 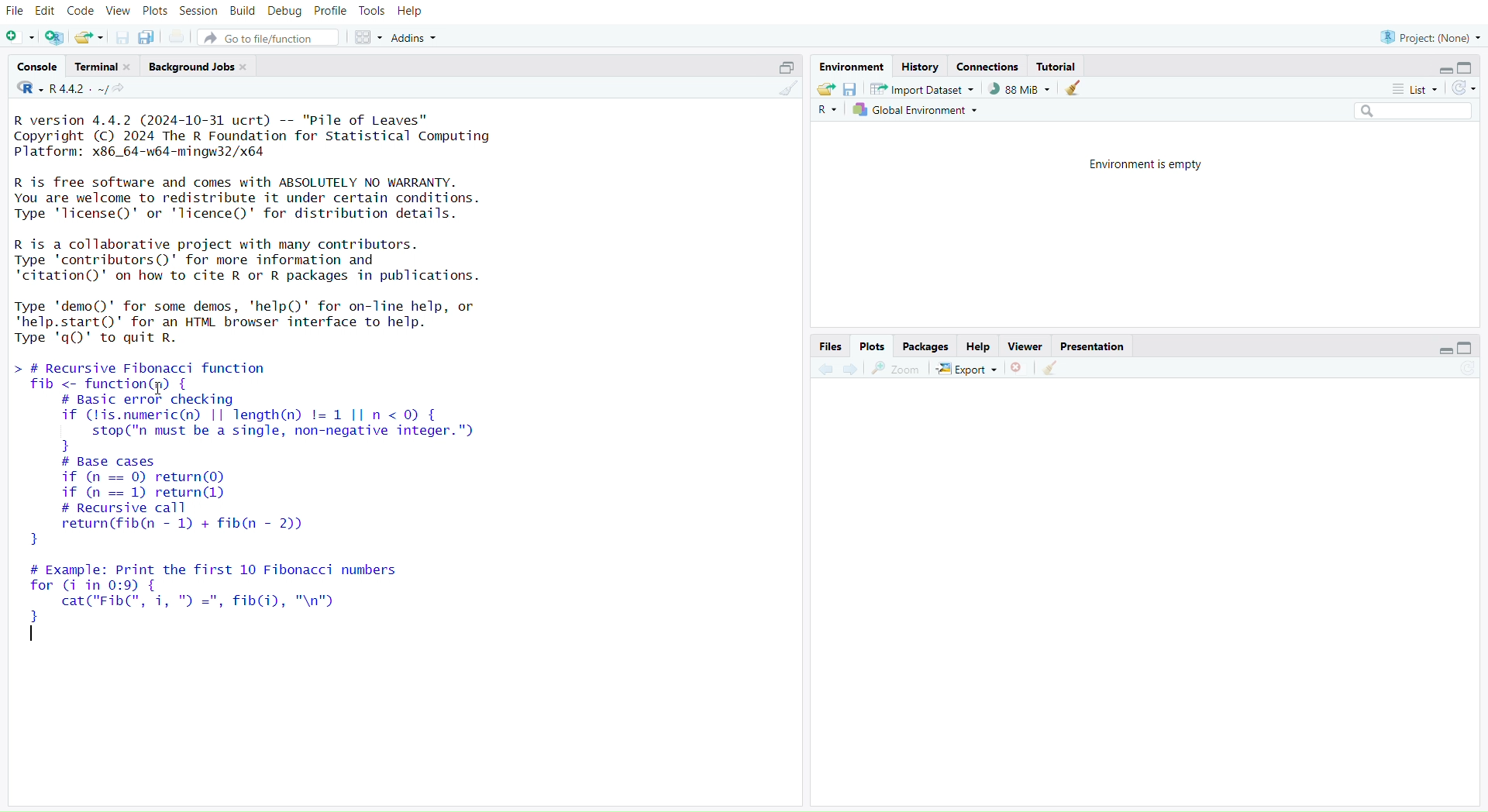 I want to click on profile, so click(x=331, y=12).